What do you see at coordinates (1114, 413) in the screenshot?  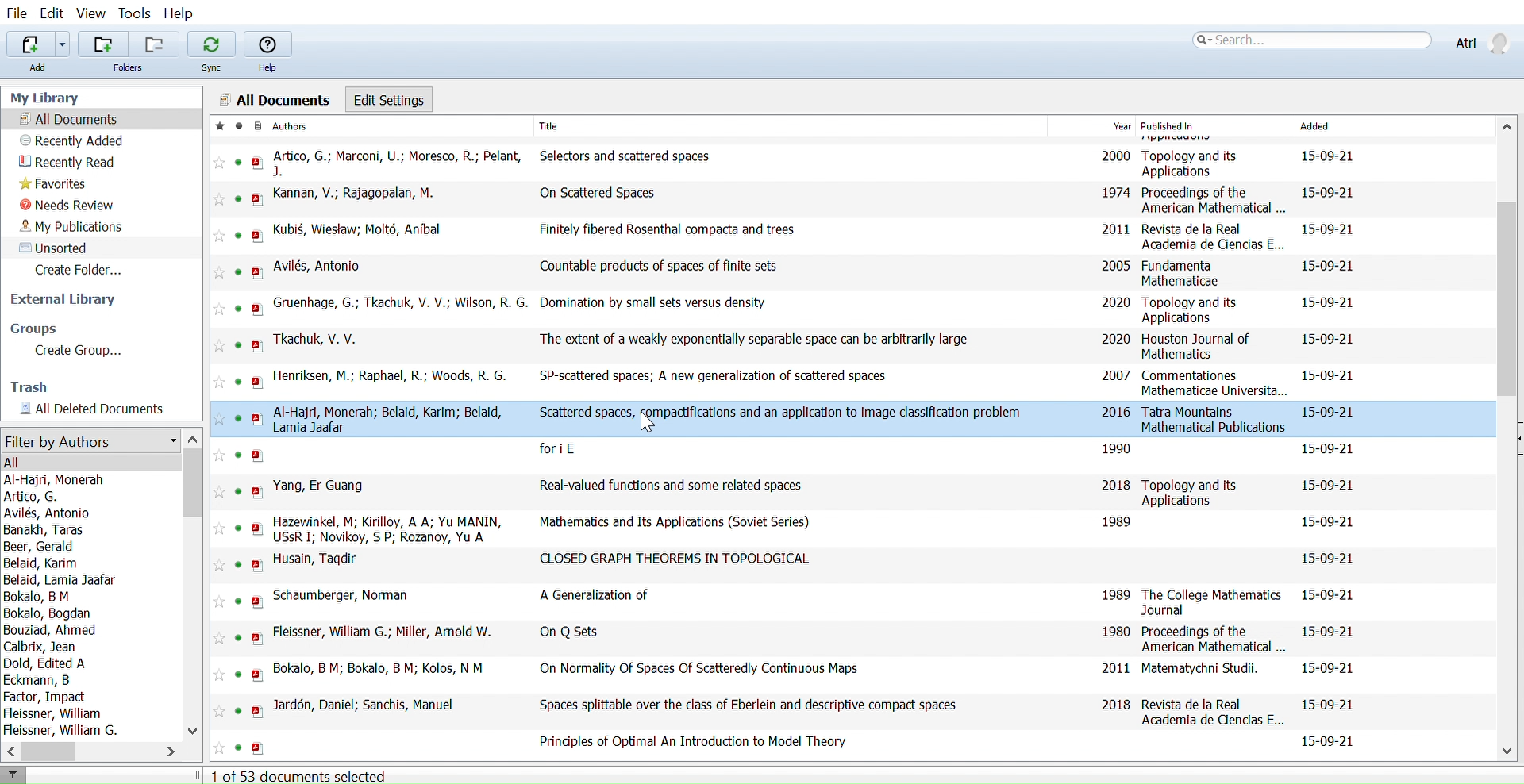 I see `2016` at bounding box center [1114, 413].